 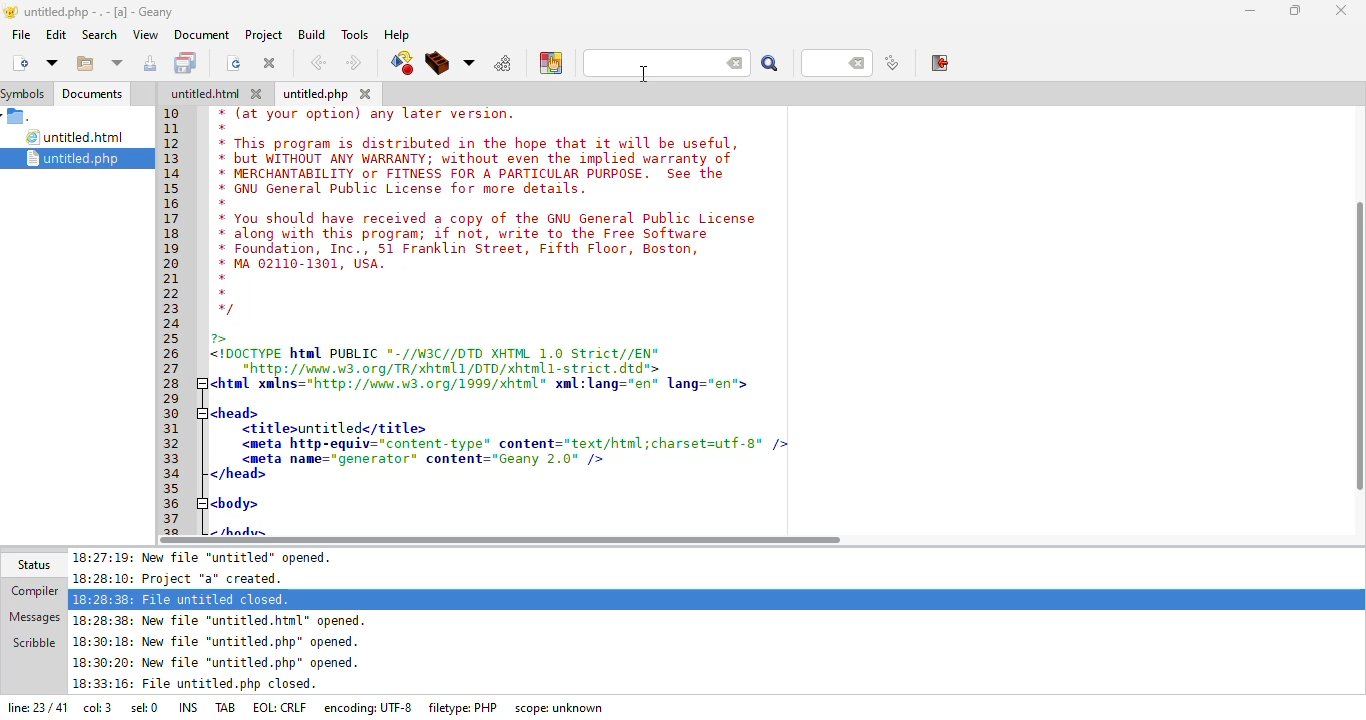 What do you see at coordinates (33, 615) in the screenshot?
I see `messages` at bounding box center [33, 615].